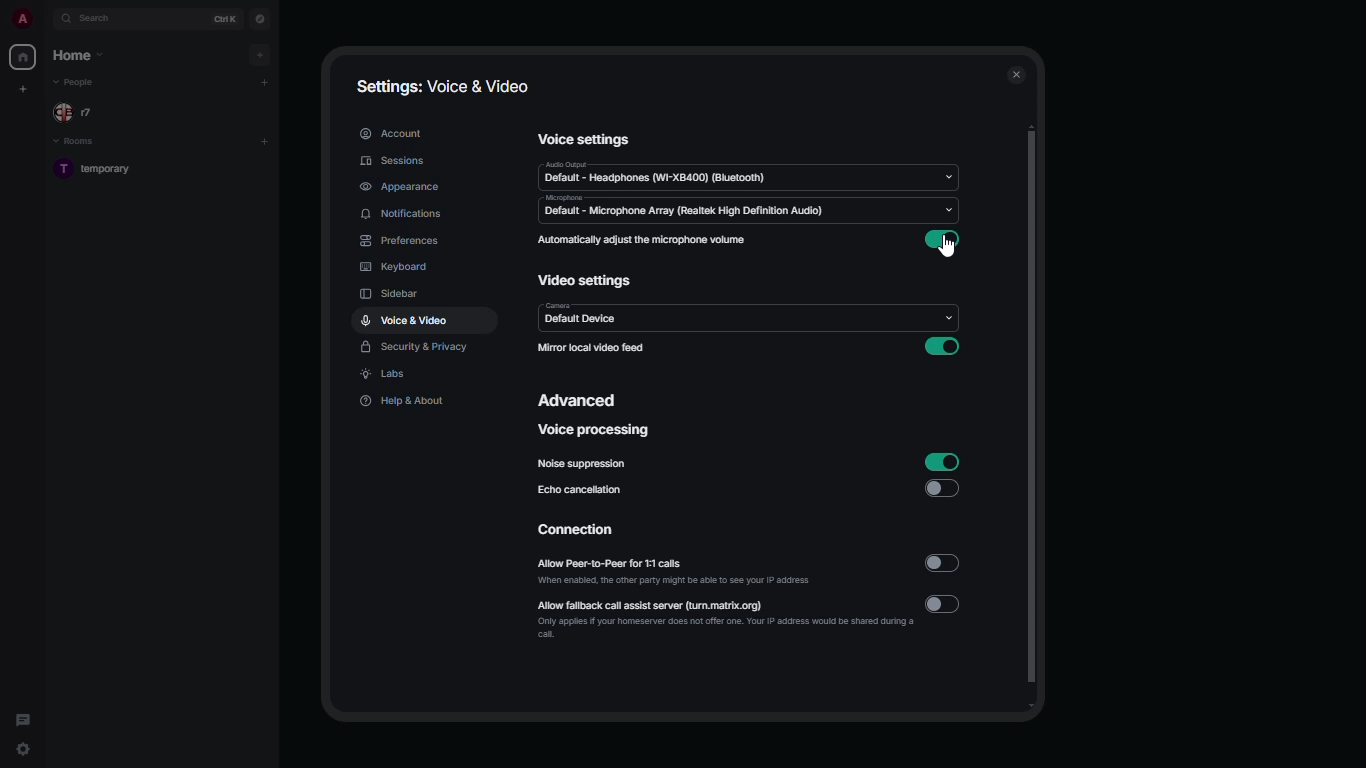 The width and height of the screenshot is (1366, 768). I want to click on appearance, so click(400, 188).